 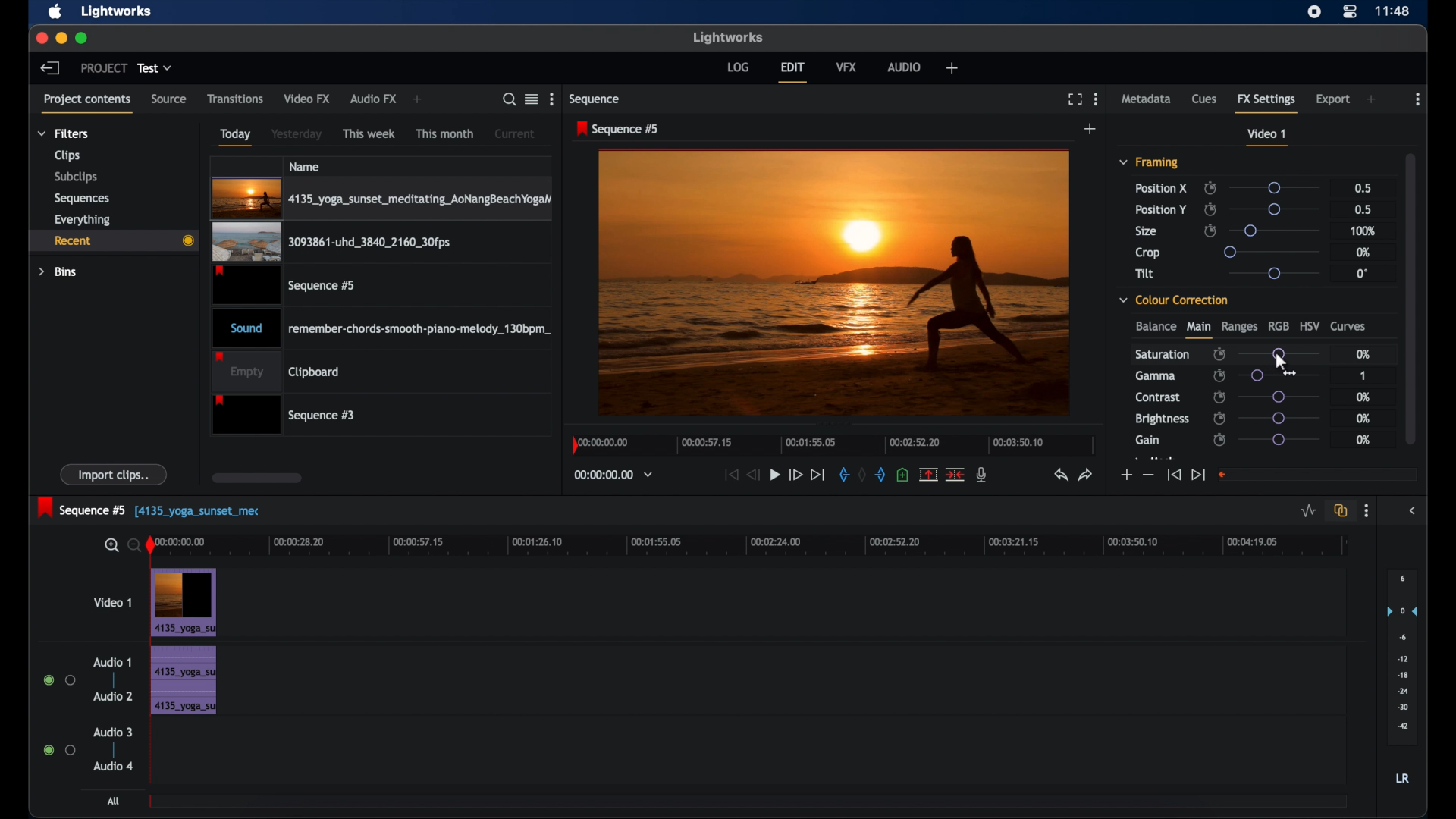 What do you see at coordinates (1150, 163) in the screenshot?
I see `framing` at bounding box center [1150, 163].